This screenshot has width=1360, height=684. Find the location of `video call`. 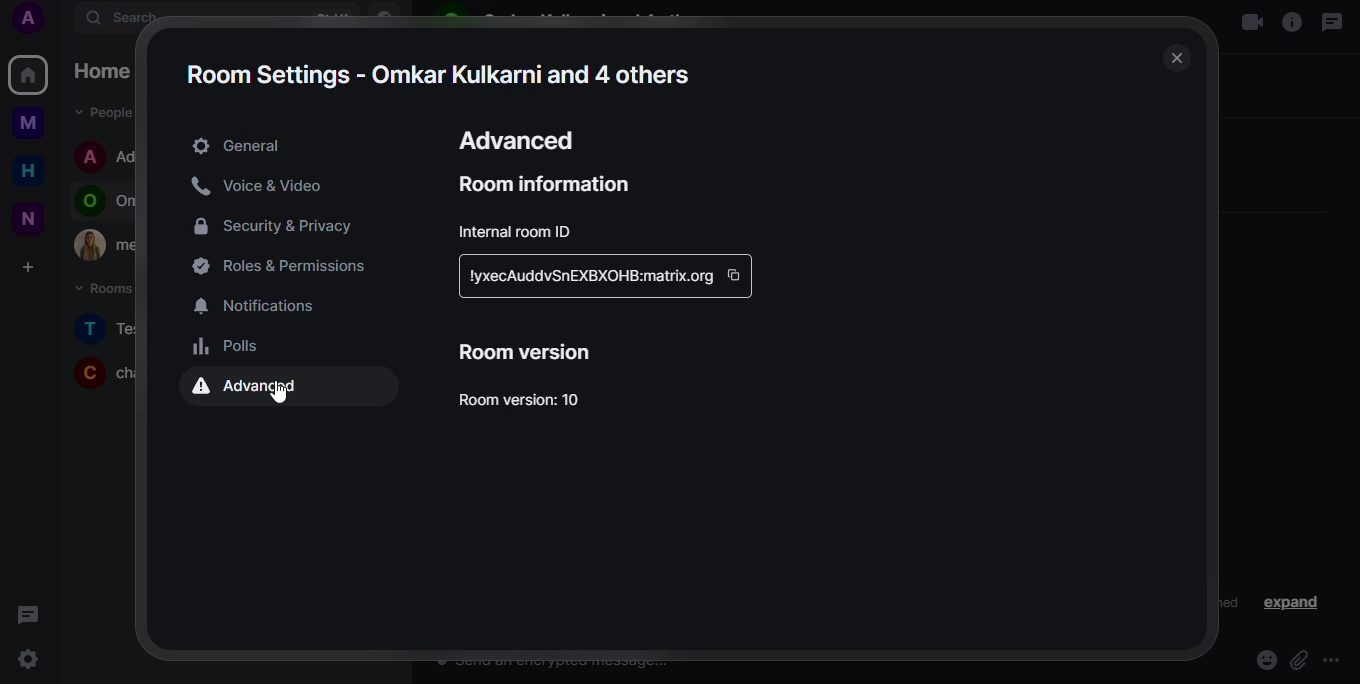

video call is located at coordinates (1250, 24).